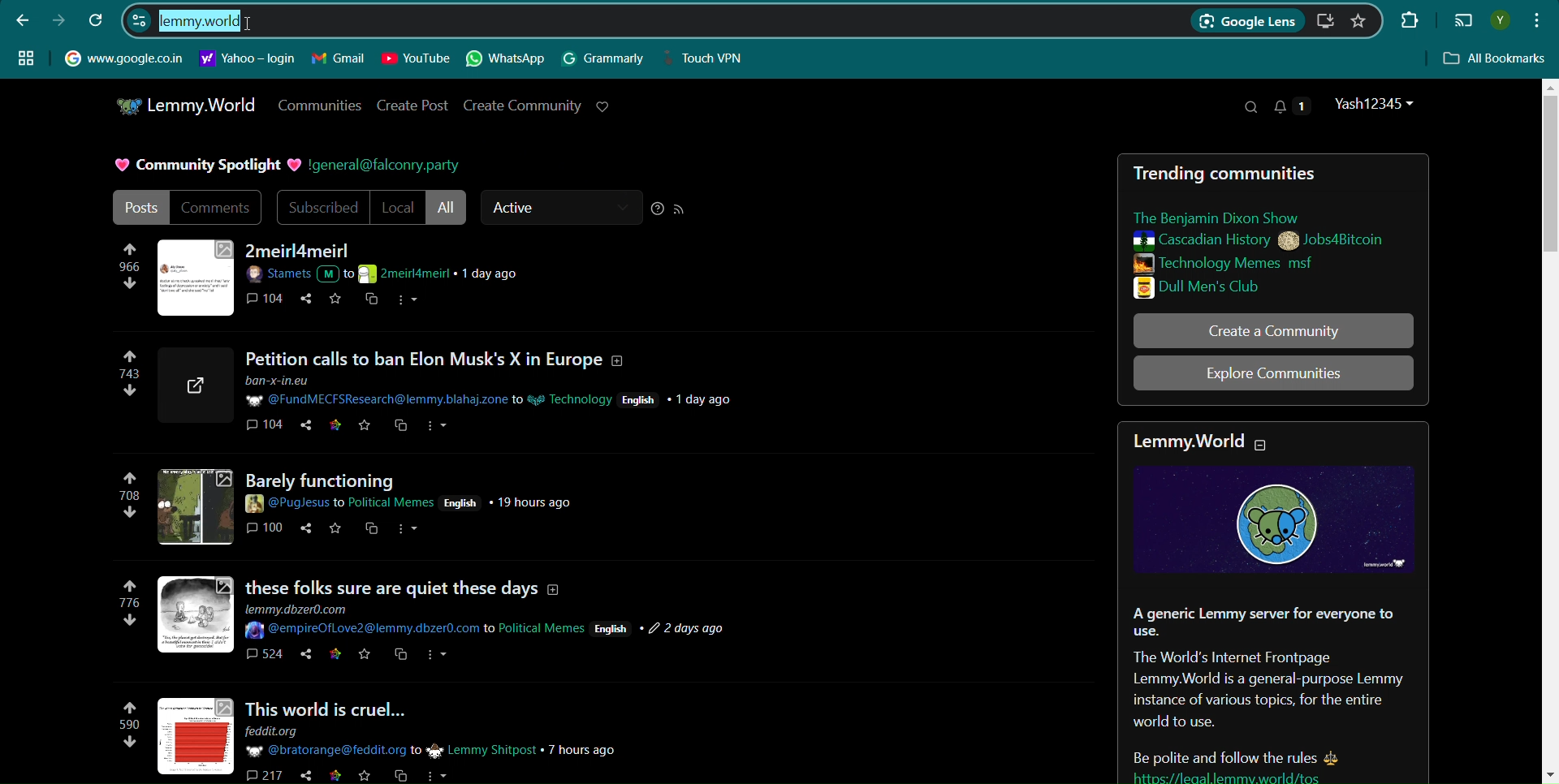  What do you see at coordinates (1253, 263) in the screenshot?
I see `Technology meme msf` at bounding box center [1253, 263].